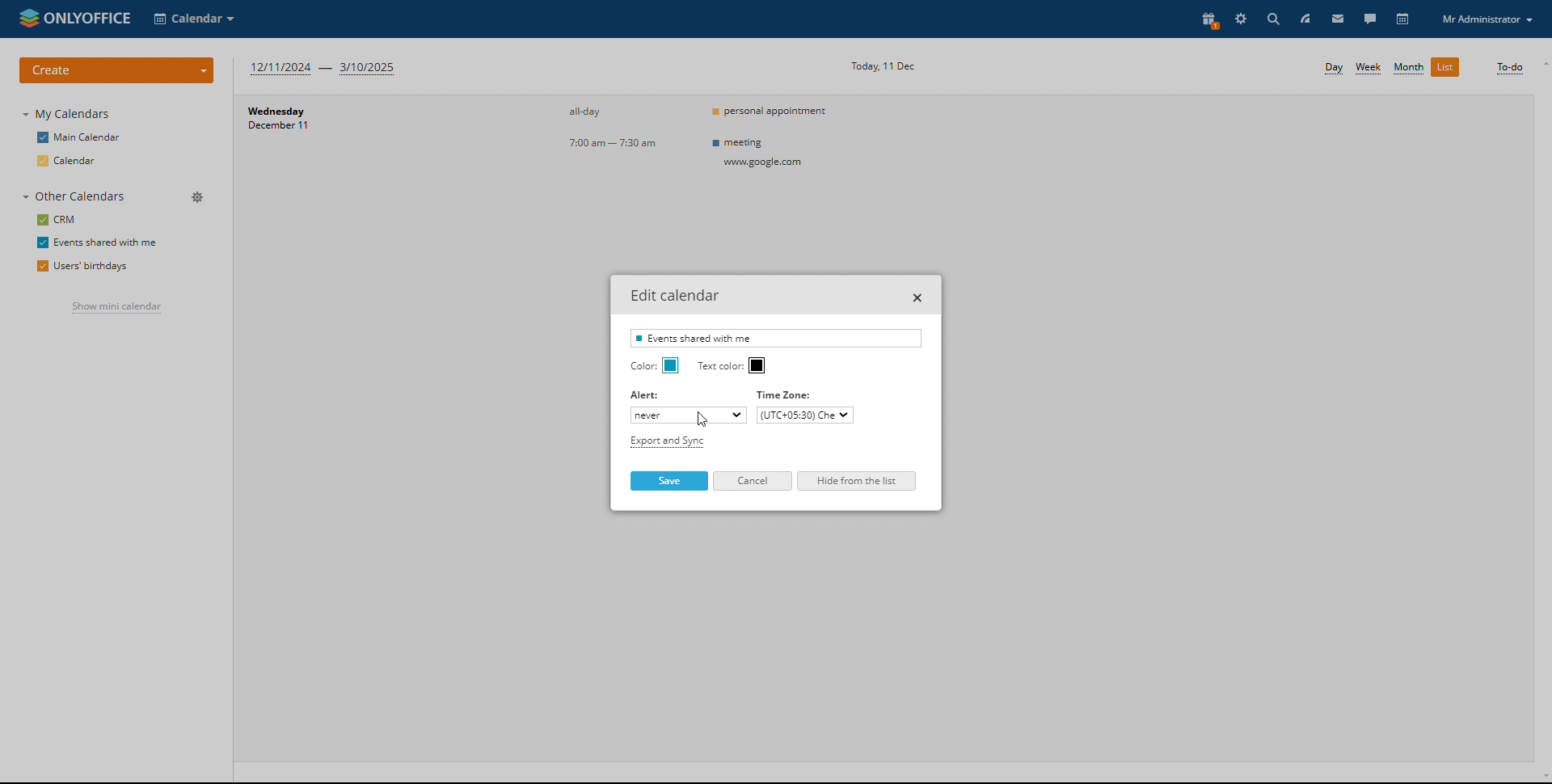 This screenshot has height=784, width=1552. Describe the element at coordinates (646, 396) in the screenshot. I see `Alert:` at that location.